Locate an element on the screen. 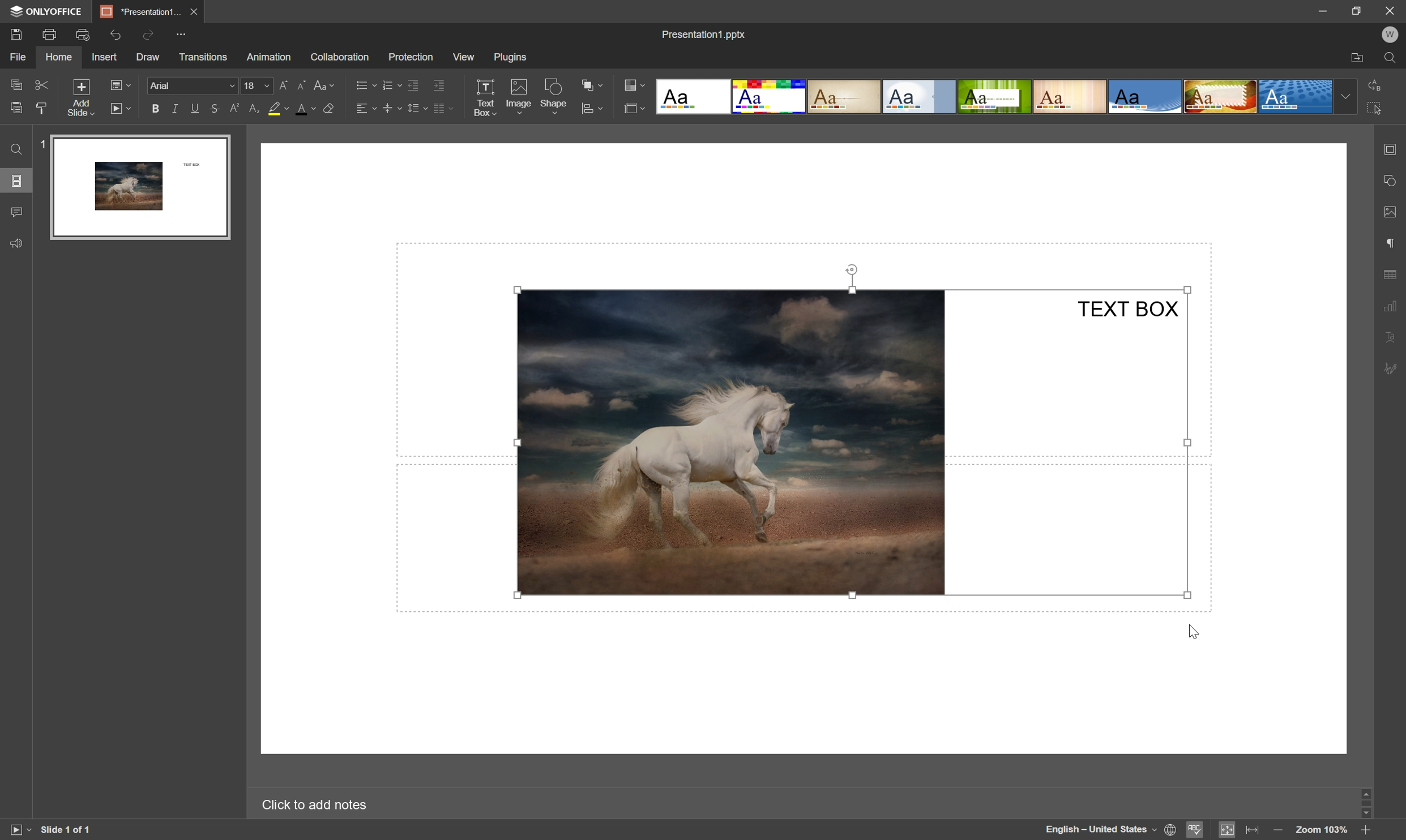  1 is located at coordinates (40, 142).